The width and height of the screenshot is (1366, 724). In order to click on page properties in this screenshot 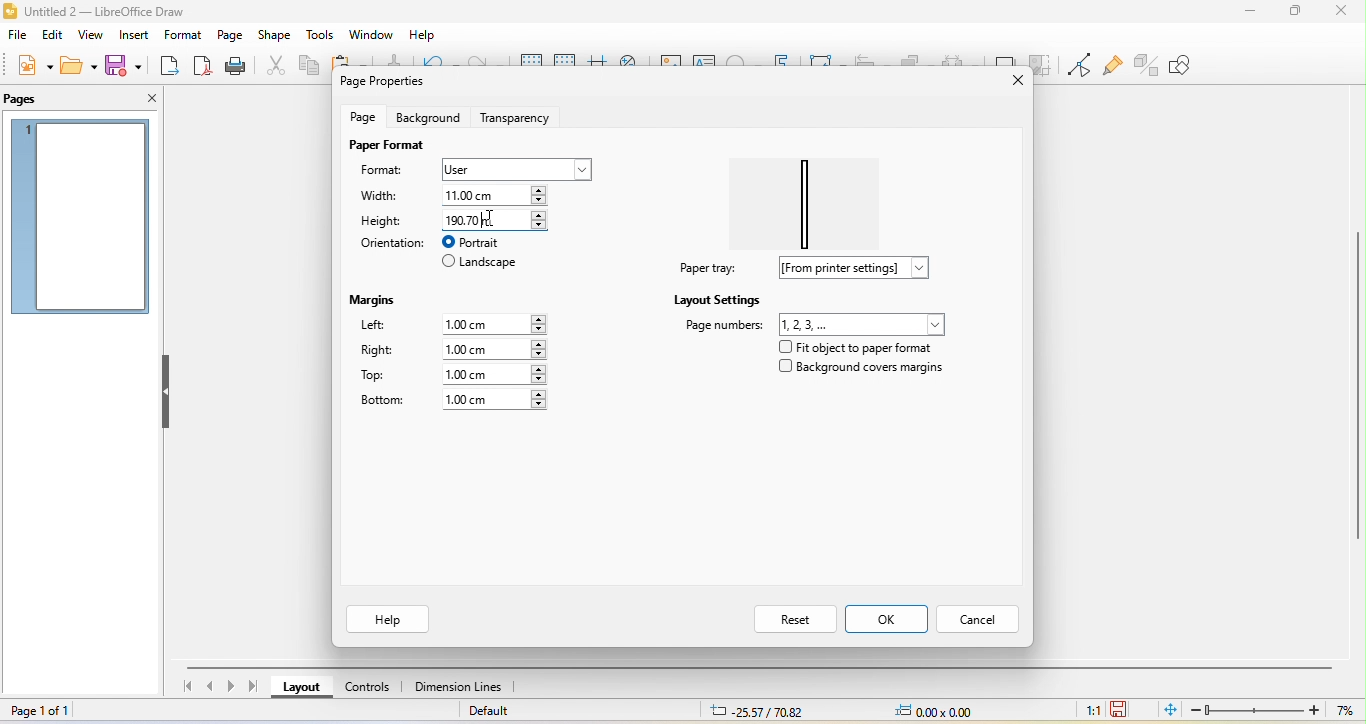, I will do `click(388, 83)`.